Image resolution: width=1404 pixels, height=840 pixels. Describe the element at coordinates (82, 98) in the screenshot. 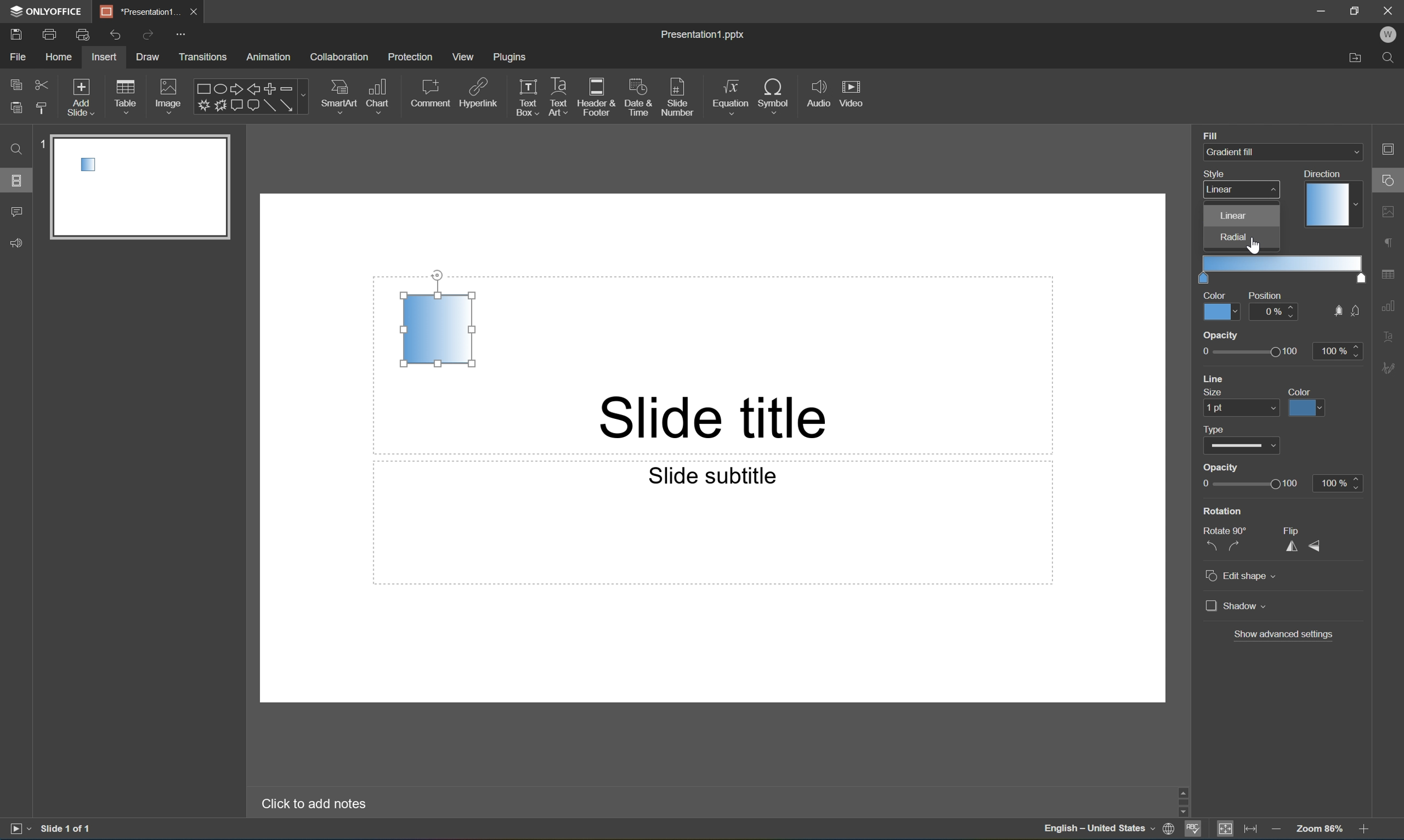

I see `Add Slide` at that location.